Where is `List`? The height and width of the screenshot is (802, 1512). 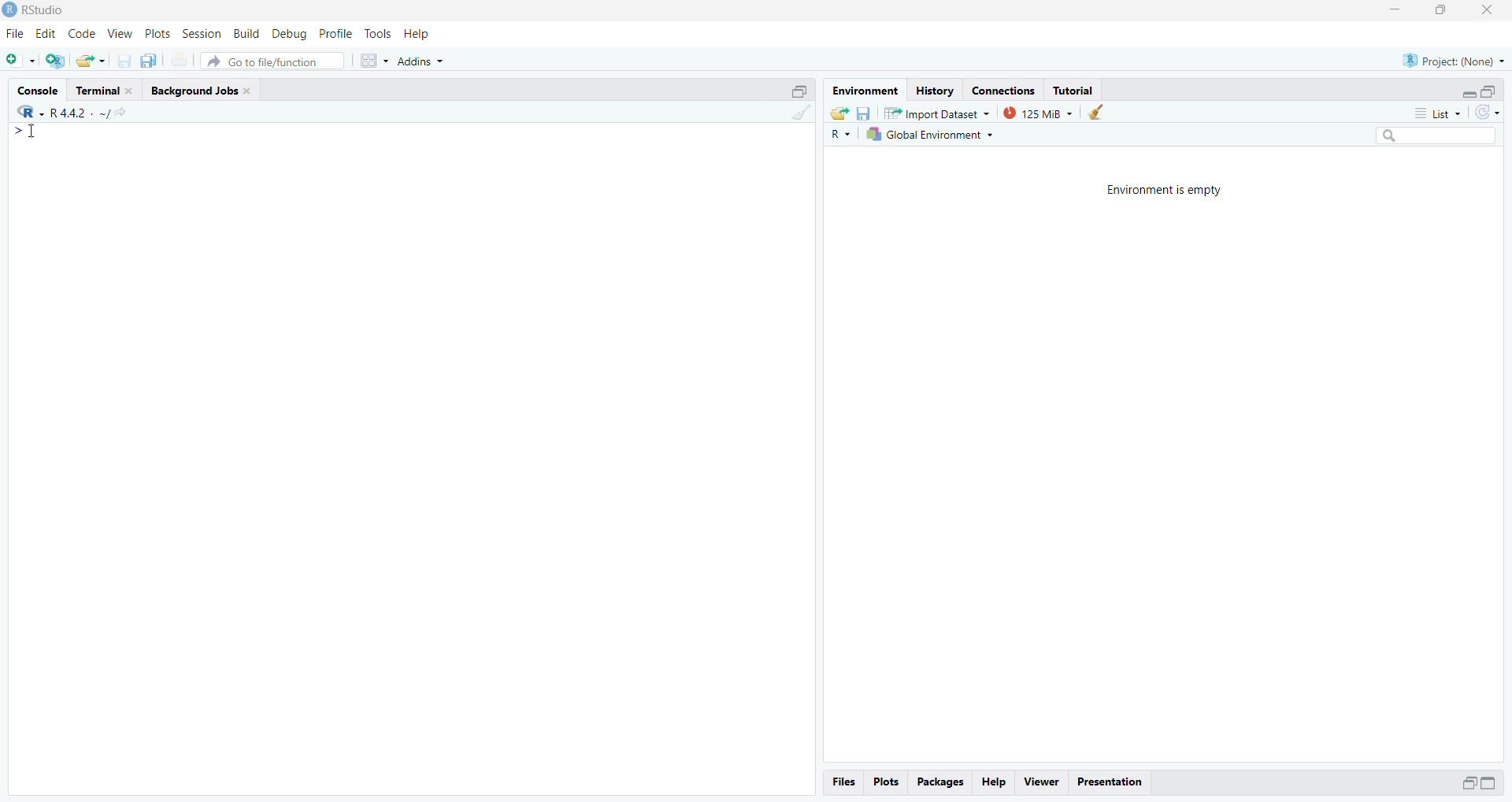 List is located at coordinates (1437, 112).